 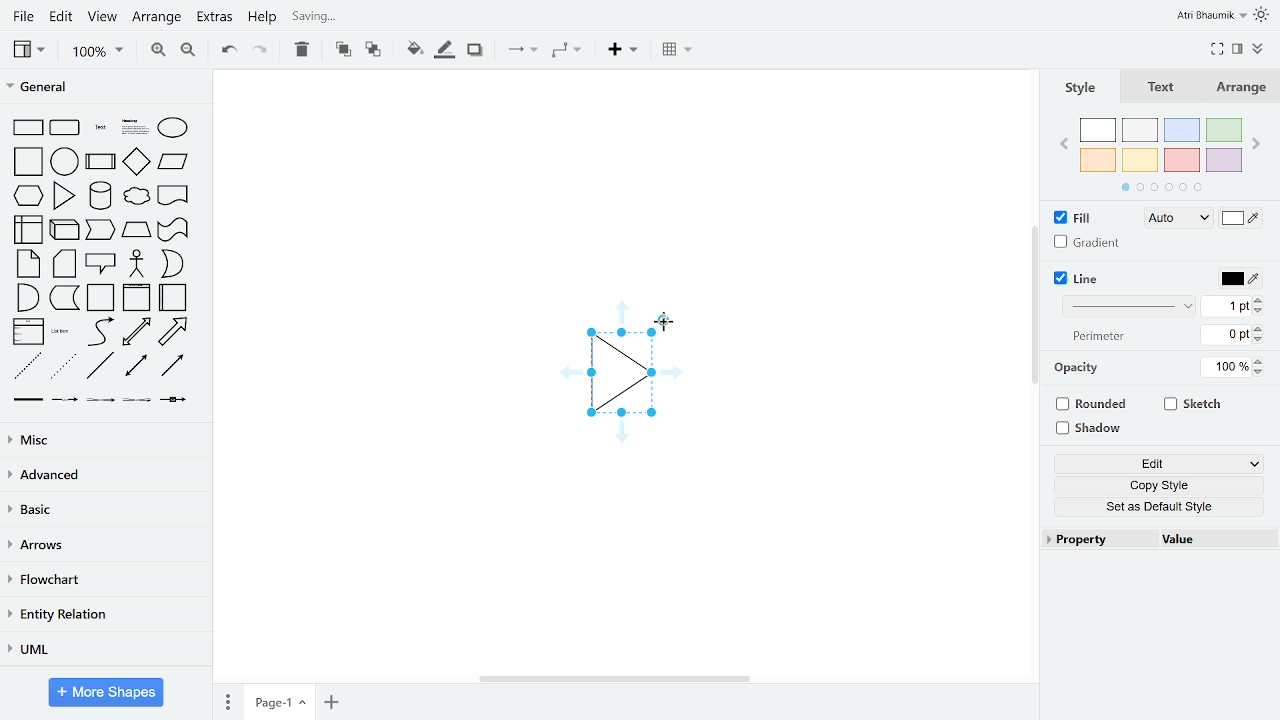 I want to click on data storage, so click(x=65, y=300).